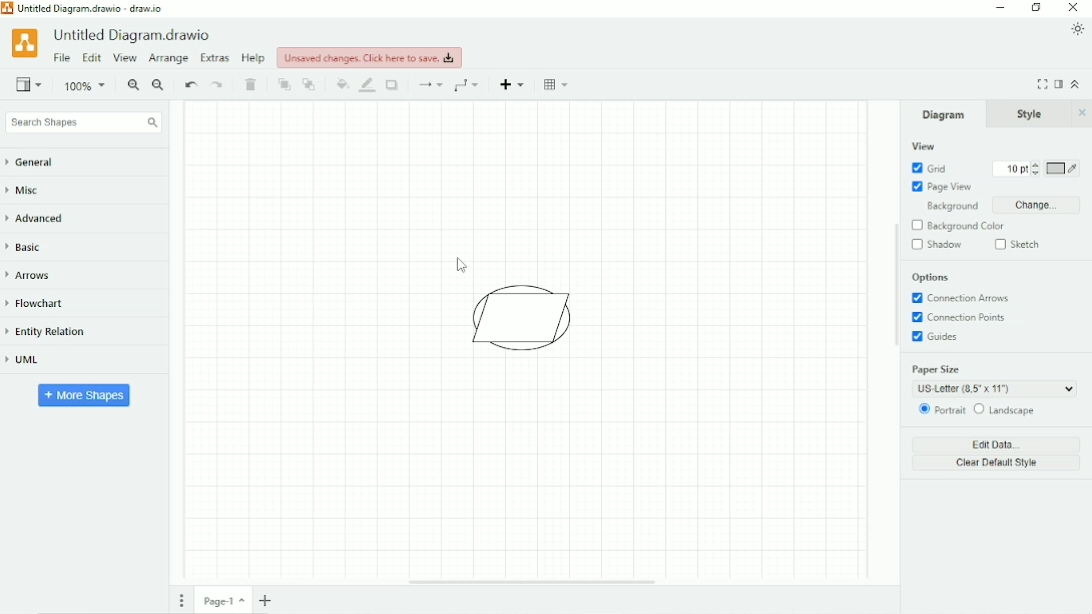  What do you see at coordinates (159, 86) in the screenshot?
I see `Zoom out` at bounding box center [159, 86].